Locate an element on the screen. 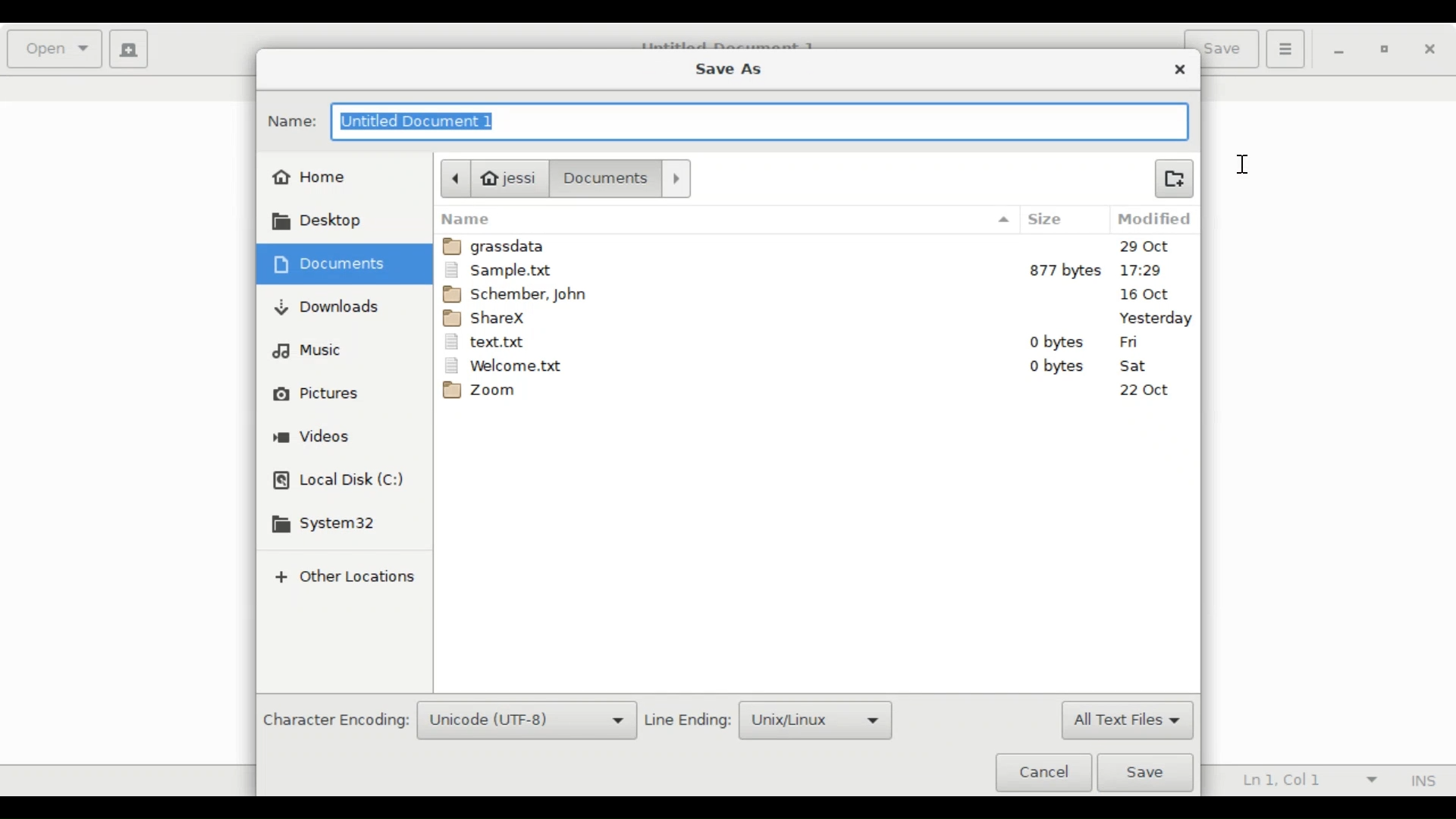 Image resolution: width=1456 pixels, height=819 pixels. Open is located at coordinates (56, 49).